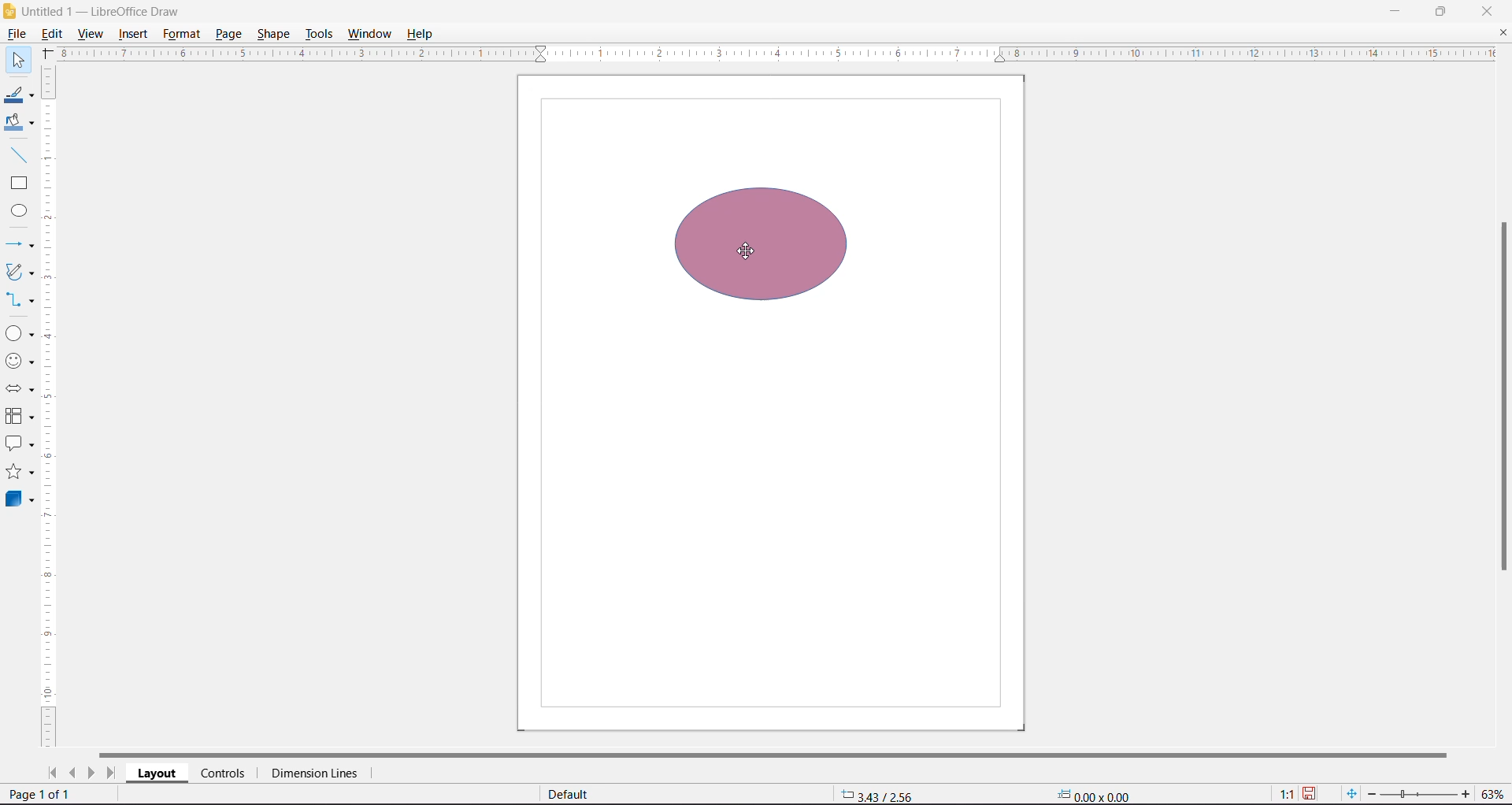 The image size is (1512, 805). What do you see at coordinates (111, 773) in the screenshot?
I see `Scroll to last page` at bounding box center [111, 773].